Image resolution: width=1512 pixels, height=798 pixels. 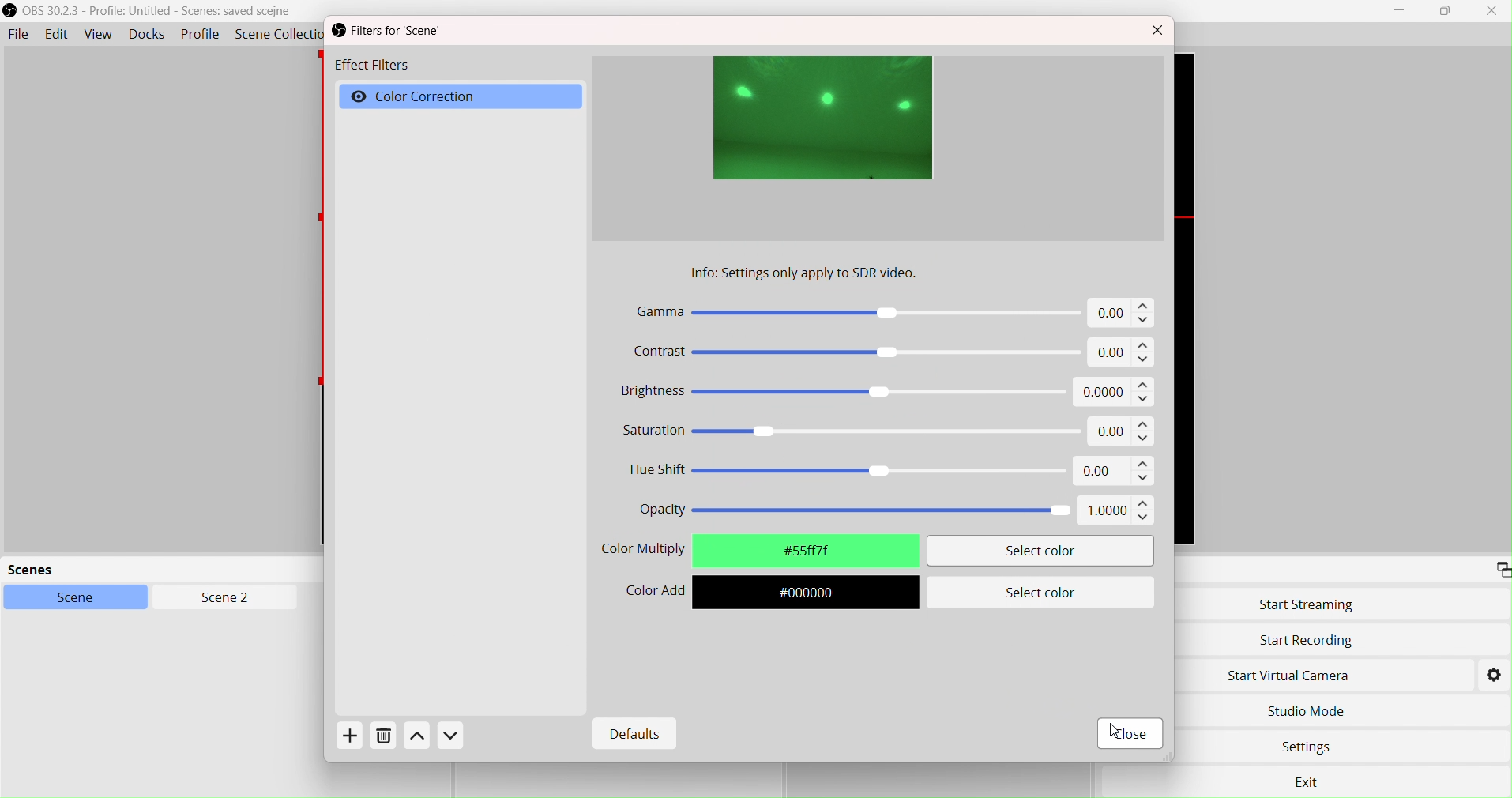 What do you see at coordinates (856, 350) in the screenshot?
I see `Contrast` at bounding box center [856, 350].